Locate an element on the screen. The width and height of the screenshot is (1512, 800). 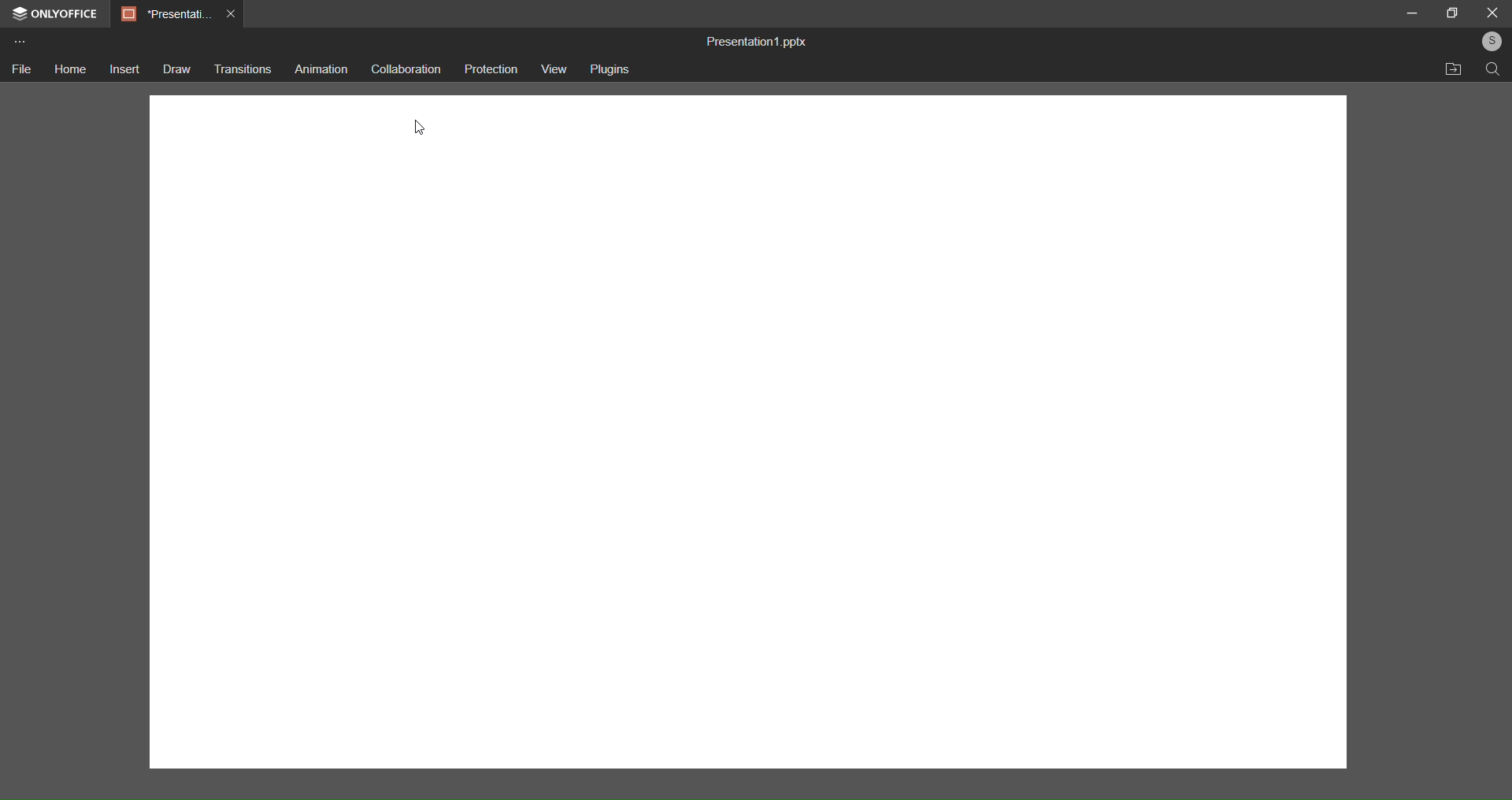
onlyoffice is located at coordinates (54, 13).